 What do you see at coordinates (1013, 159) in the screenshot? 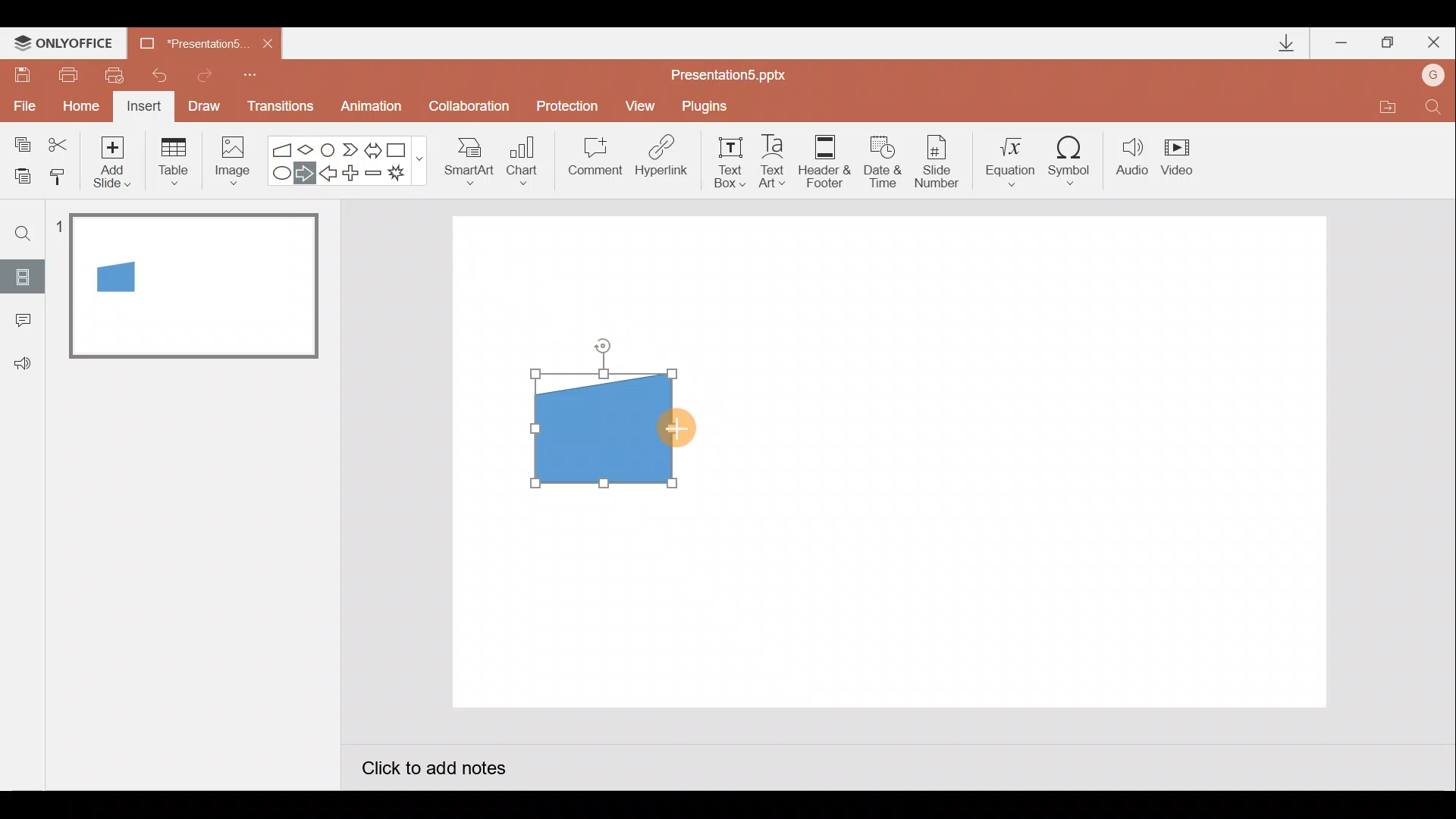
I see `Equation` at bounding box center [1013, 159].